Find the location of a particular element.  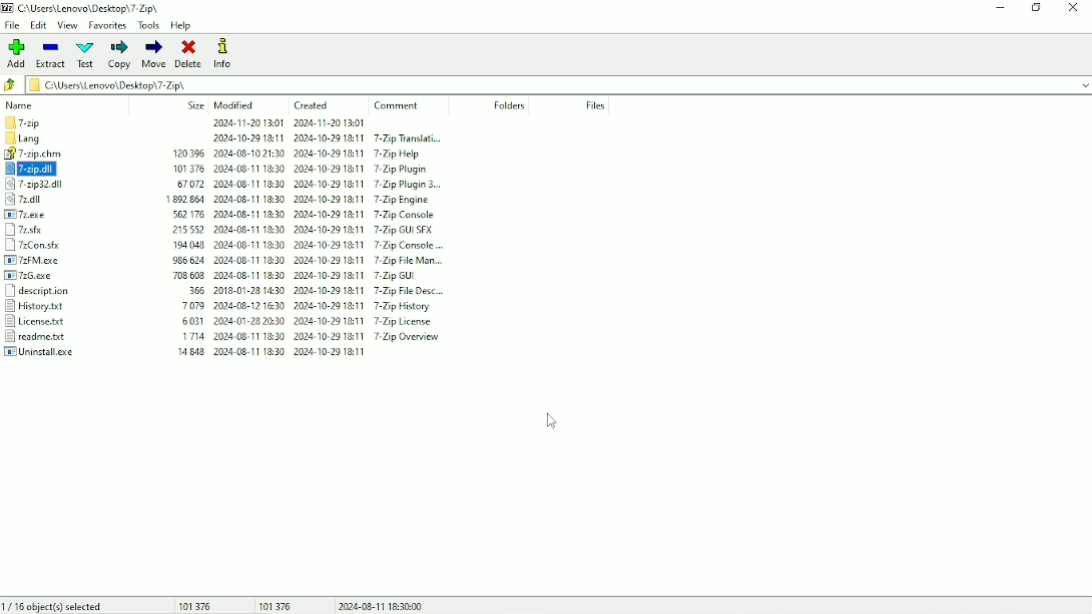

562176 2004-08-11 1230 2004-10-29 1211 7-Zip Console is located at coordinates (312, 215).